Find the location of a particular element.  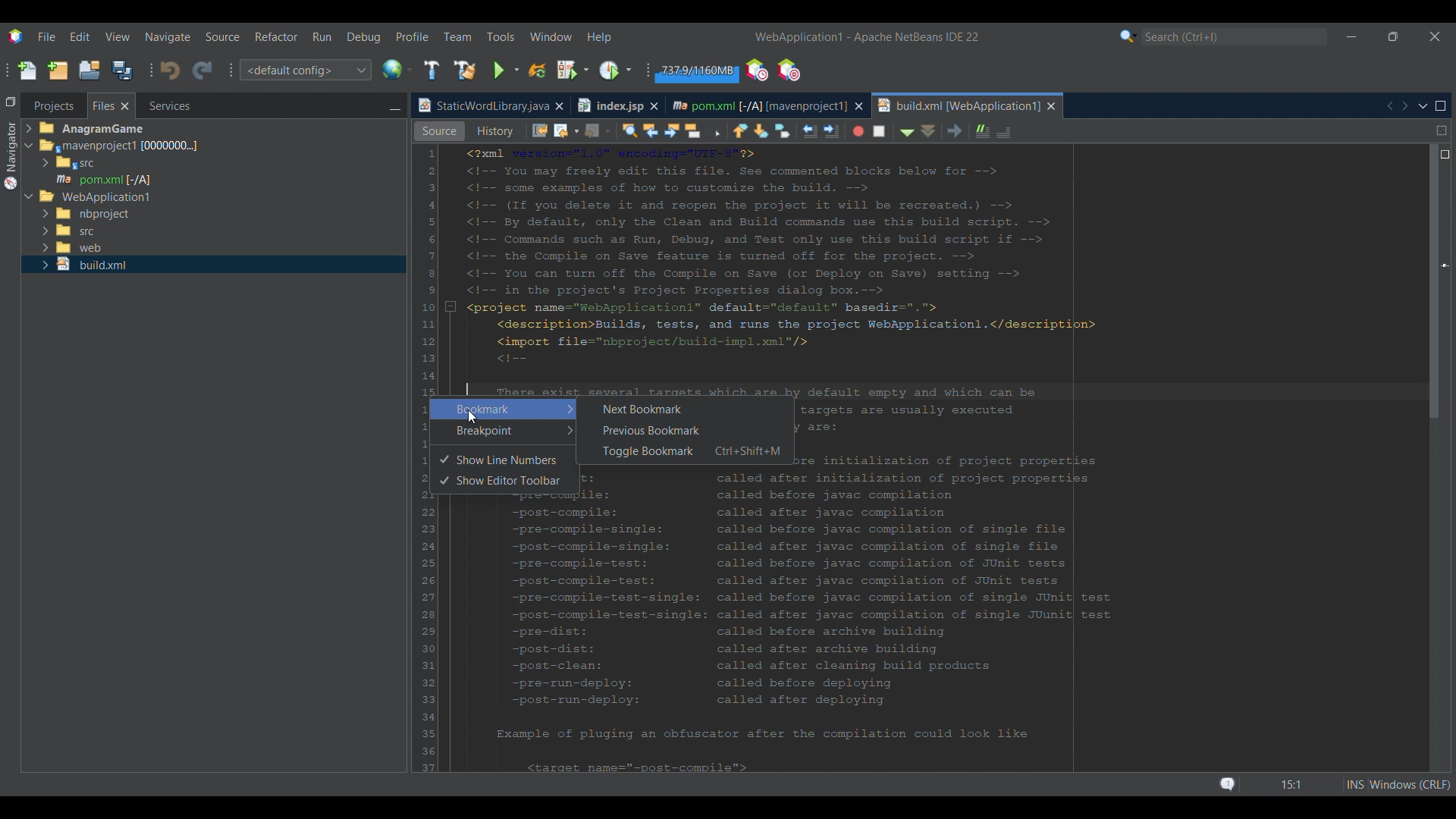

Run menu is located at coordinates (322, 36).